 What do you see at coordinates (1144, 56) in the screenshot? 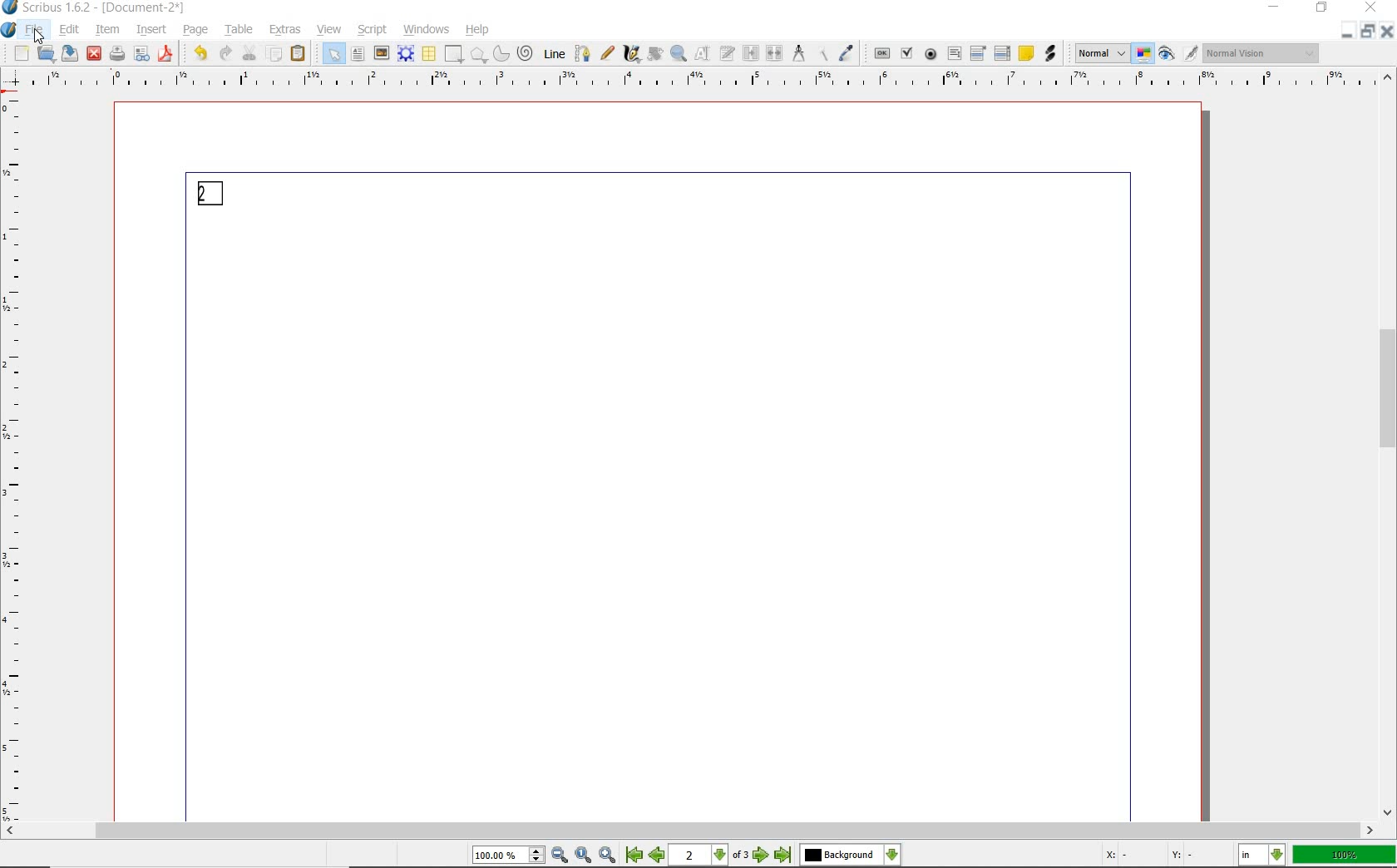
I see `toggle color management` at bounding box center [1144, 56].